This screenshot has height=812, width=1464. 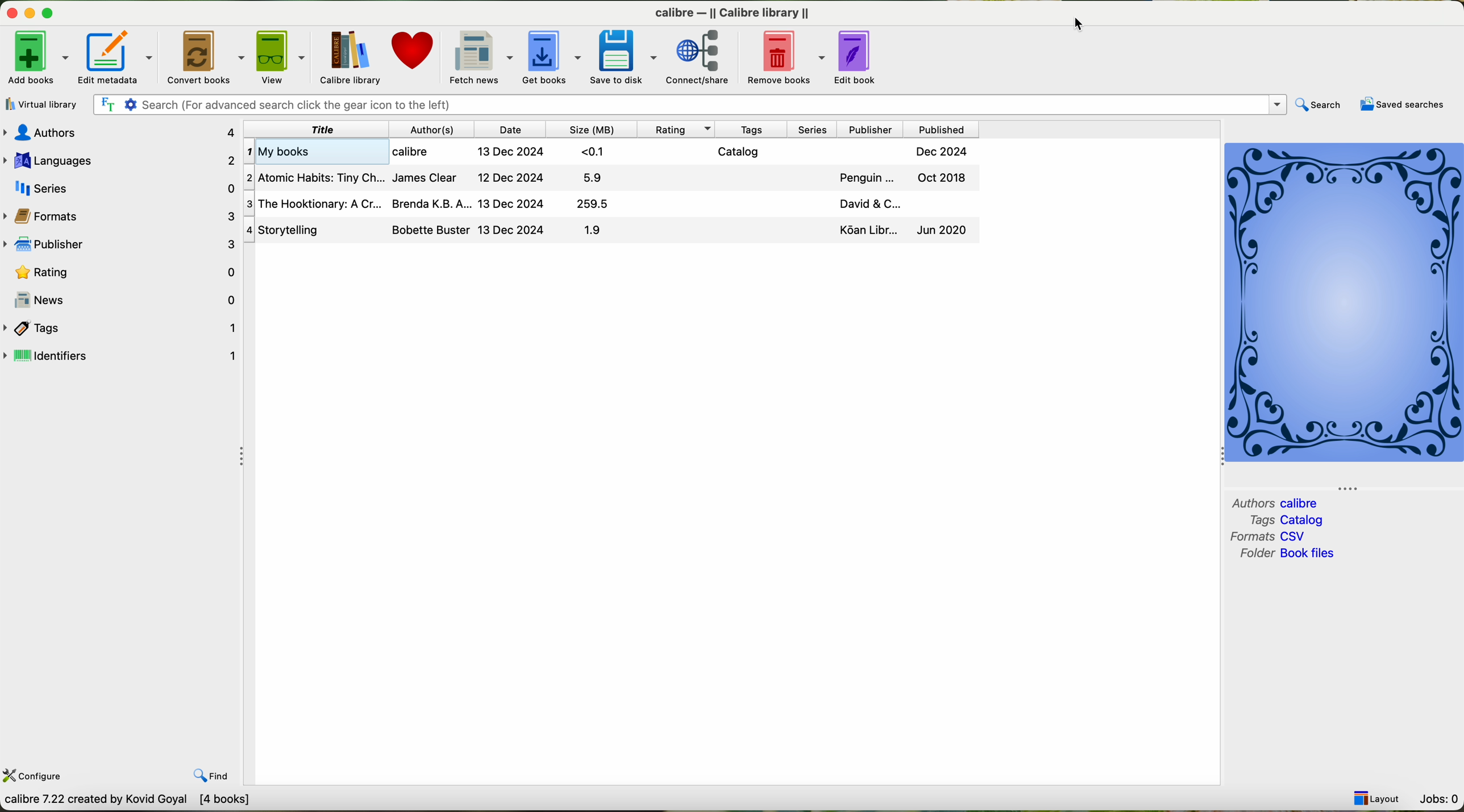 What do you see at coordinates (942, 130) in the screenshot?
I see `published` at bounding box center [942, 130].